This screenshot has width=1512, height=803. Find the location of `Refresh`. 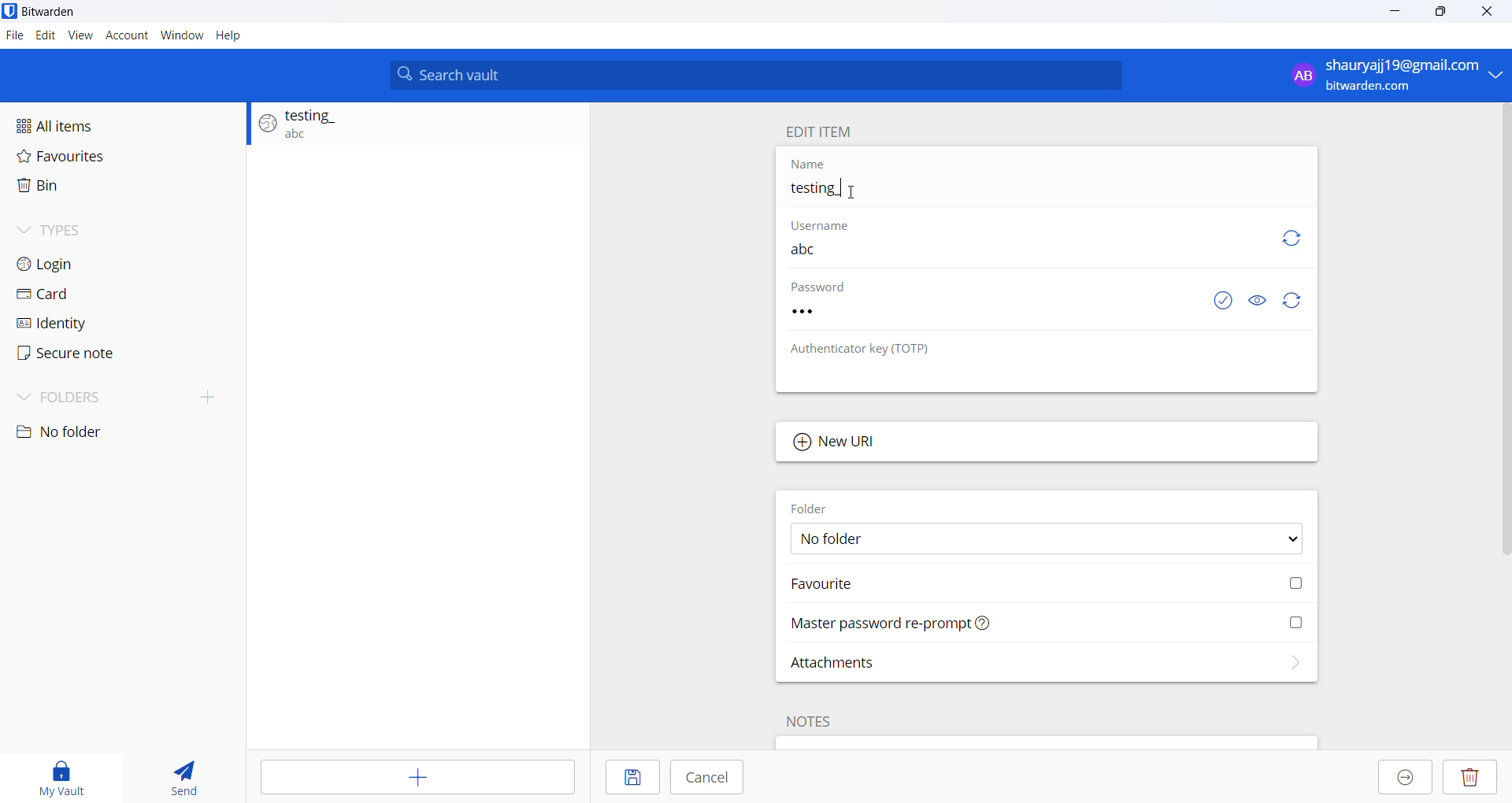

Refresh is located at coordinates (1288, 234).